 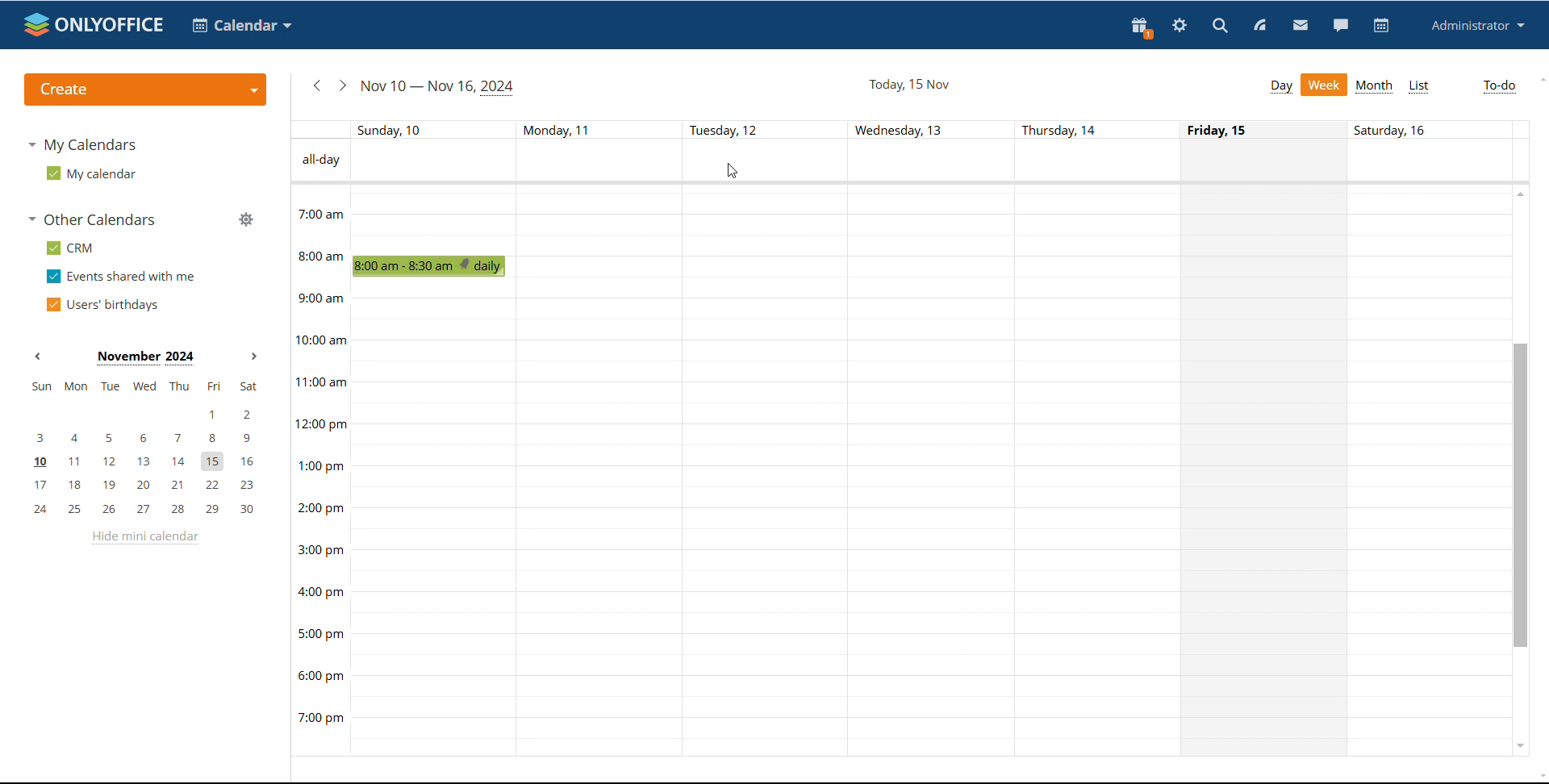 I want to click on crm, so click(x=70, y=248).